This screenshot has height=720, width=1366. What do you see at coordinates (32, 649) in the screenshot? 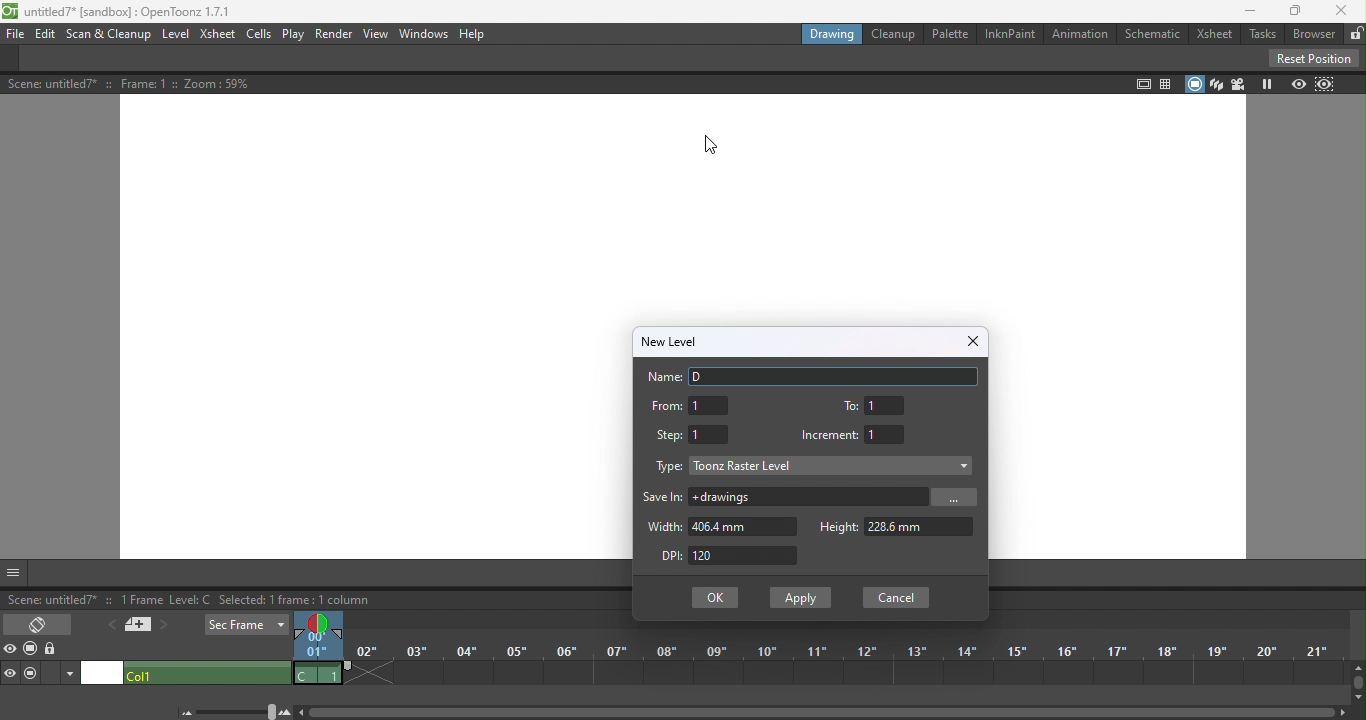
I see `Camera stand visibility toggle all` at bounding box center [32, 649].